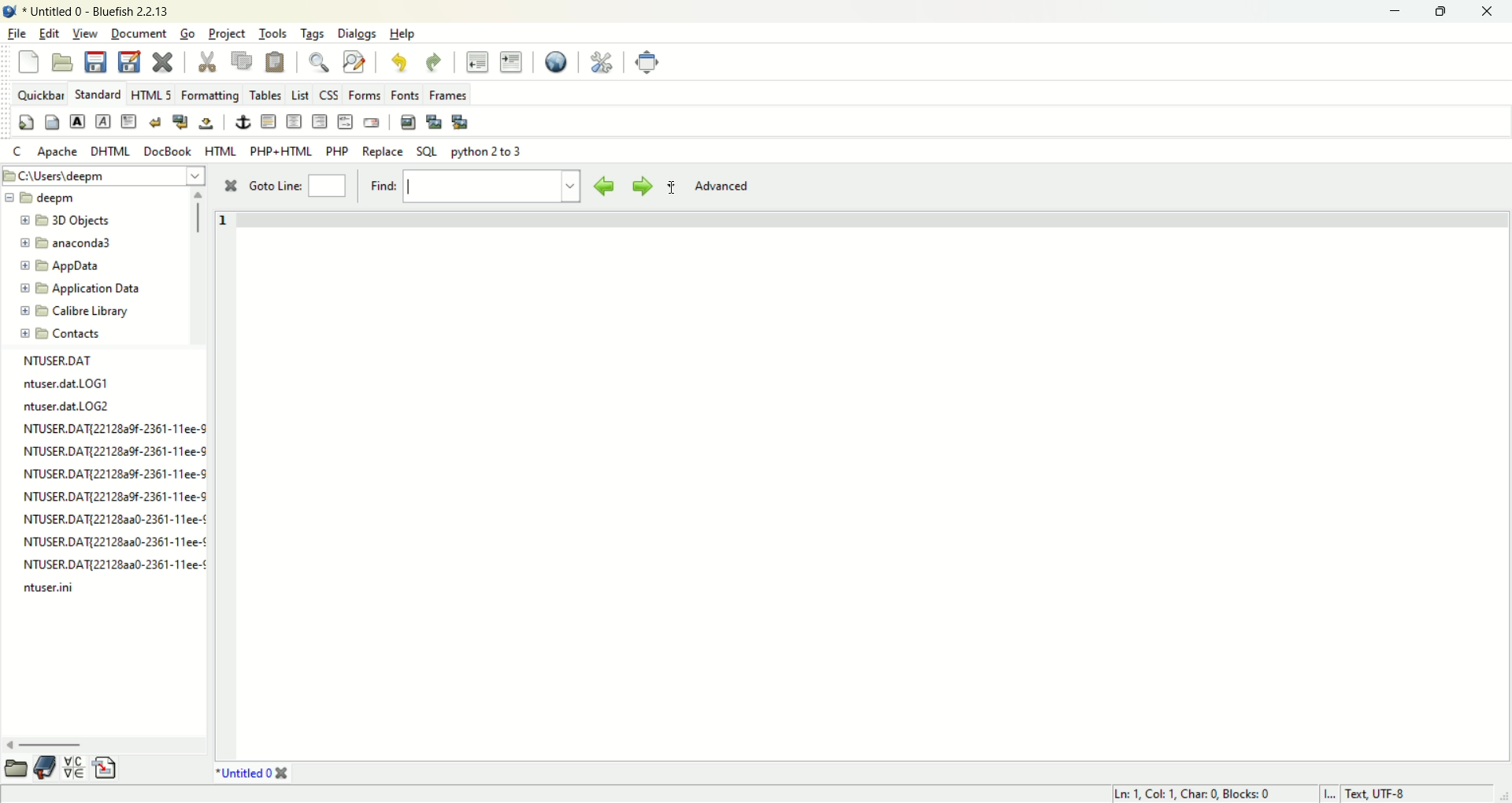 This screenshot has width=1512, height=803. Describe the element at coordinates (51, 123) in the screenshot. I see `body` at that location.